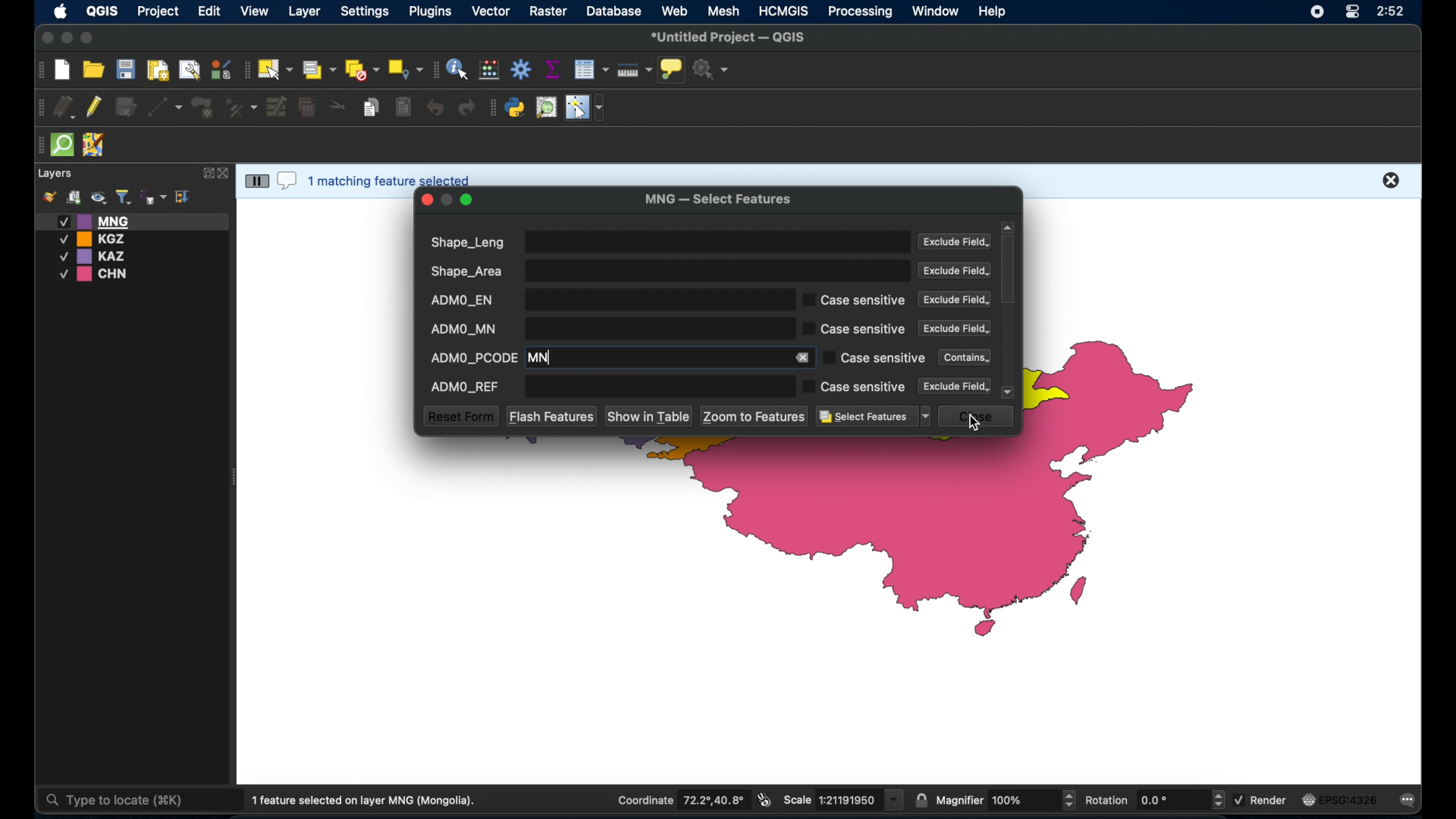 This screenshot has height=819, width=1456. What do you see at coordinates (459, 69) in the screenshot?
I see `identify feature` at bounding box center [459, 69].